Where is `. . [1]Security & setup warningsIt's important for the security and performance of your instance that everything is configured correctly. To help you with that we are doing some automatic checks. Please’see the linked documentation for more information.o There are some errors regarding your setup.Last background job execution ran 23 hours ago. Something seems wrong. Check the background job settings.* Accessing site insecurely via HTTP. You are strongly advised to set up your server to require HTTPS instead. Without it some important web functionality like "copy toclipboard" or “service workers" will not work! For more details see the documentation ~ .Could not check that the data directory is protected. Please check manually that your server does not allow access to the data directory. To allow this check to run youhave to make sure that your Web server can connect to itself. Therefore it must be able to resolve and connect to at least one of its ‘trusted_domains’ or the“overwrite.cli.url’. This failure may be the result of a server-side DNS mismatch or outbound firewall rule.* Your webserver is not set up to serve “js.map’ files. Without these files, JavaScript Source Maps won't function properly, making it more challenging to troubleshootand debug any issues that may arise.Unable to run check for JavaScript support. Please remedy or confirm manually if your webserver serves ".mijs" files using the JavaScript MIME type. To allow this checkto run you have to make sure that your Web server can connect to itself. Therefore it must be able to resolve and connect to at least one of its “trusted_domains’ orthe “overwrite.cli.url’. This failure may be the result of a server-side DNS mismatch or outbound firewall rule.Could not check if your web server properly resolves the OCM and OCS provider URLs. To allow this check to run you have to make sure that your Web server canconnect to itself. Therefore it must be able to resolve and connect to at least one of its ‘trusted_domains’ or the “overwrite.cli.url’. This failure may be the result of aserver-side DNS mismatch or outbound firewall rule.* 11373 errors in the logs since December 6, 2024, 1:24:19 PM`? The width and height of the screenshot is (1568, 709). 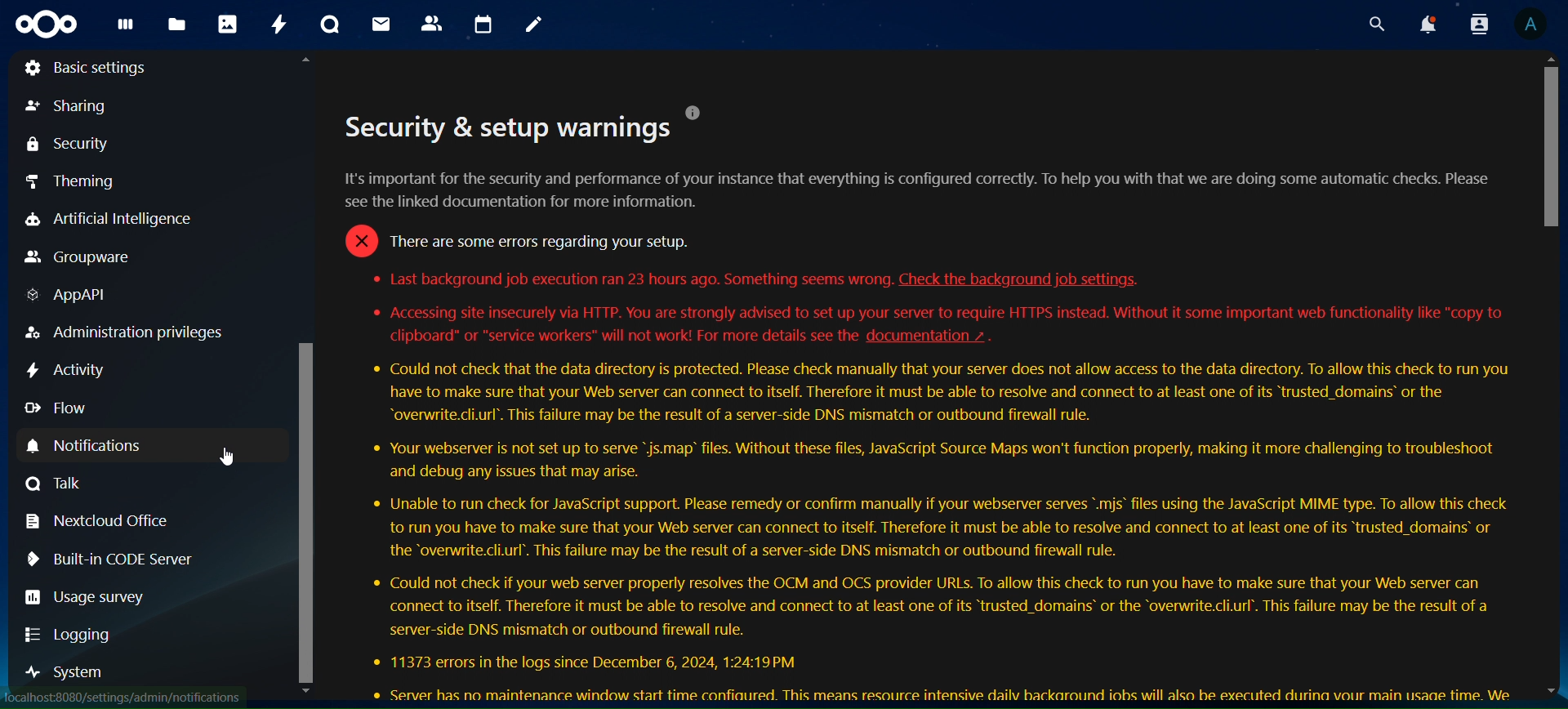
. . [1]Security & setup warningsIt's important for the security and performance of your instance that everything is configured correctly. To help you with that we are doing some automatic checks. Please’see the linked documentation for more information.o There are some errors regarding your setup.Last background job execution ran 23 hours ago. Something seems wrong. Check the background job settings.* Accessing site insecurely via HTTP. You are strongly advised to set up your server to require HTTPS instead. Without it some important web functionality like "copy toclipboard" or “service workers" will not work! For more details see the documentation ~ .Could not check that the data directory is protected. Please check manually that your server does not allow access to the data directory. To allow this check to run youhave to make sure that your Web server can connect to itself. Therefore it must be able to resolve and connect to at least one of its ‘trusted_domains’ or the“overwrite.cli.url’. This failure may be the result of a server-side DNS mismatch or outbound firewall rule.* Your webserver is not set up to serve “js.map’ files. Without these files, JavaScript Source Maps won't function properly, making it more challenging to troubleshootand debug any issues that may arise.Unable to run check for JavaScript support. Please remedy or confirm manually if your webserver serves ".mijs" files using the JavaScript MIME type. To allow this checkto run you have to make sure that your Web server can connect to itself. Therefore it must be able to resolve and connect to at least one of its “trusted_domains’ orthe “overwrite.cli.url’. This failure may be the result of a server-side DNS mismatch or outbound firewall rule.Could not check if your web server properly resolves the OCM and OCS provider URLs. To allow this check to run you have to make sure that your Web server canconnect to itself. Therefore it must be able to resolve and connect to at least one of its ‘trusted_domains’ or the “overwrite.cli.url’. This failure may be the result of aserver-side DNS mismatch or outbound firewall rule.* 11373 errors in the logs since December 6, 2024, 1:24:19 PM is located at coordinates (928, 406).